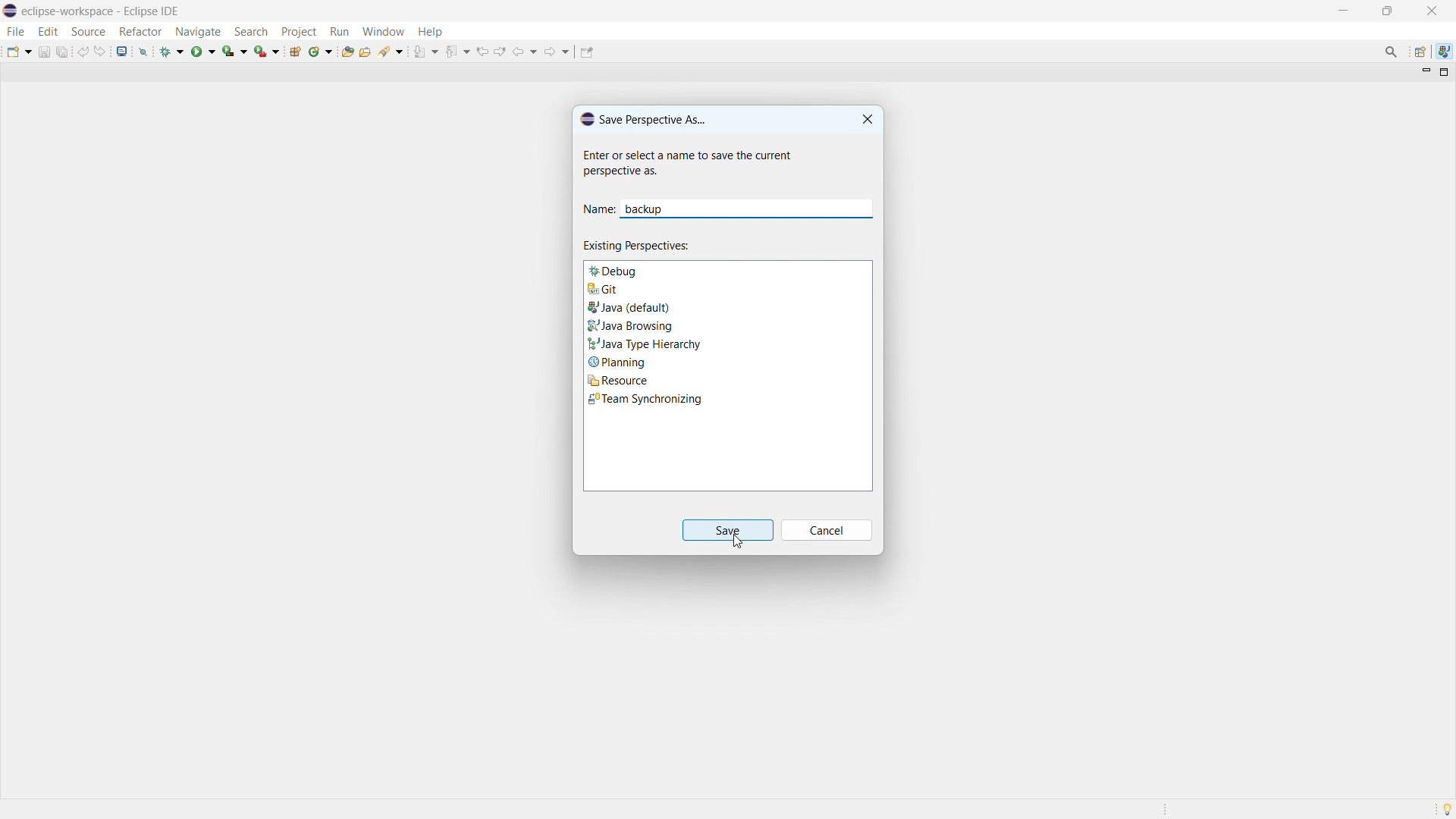  I want to click on cancel, so click(827, 531).